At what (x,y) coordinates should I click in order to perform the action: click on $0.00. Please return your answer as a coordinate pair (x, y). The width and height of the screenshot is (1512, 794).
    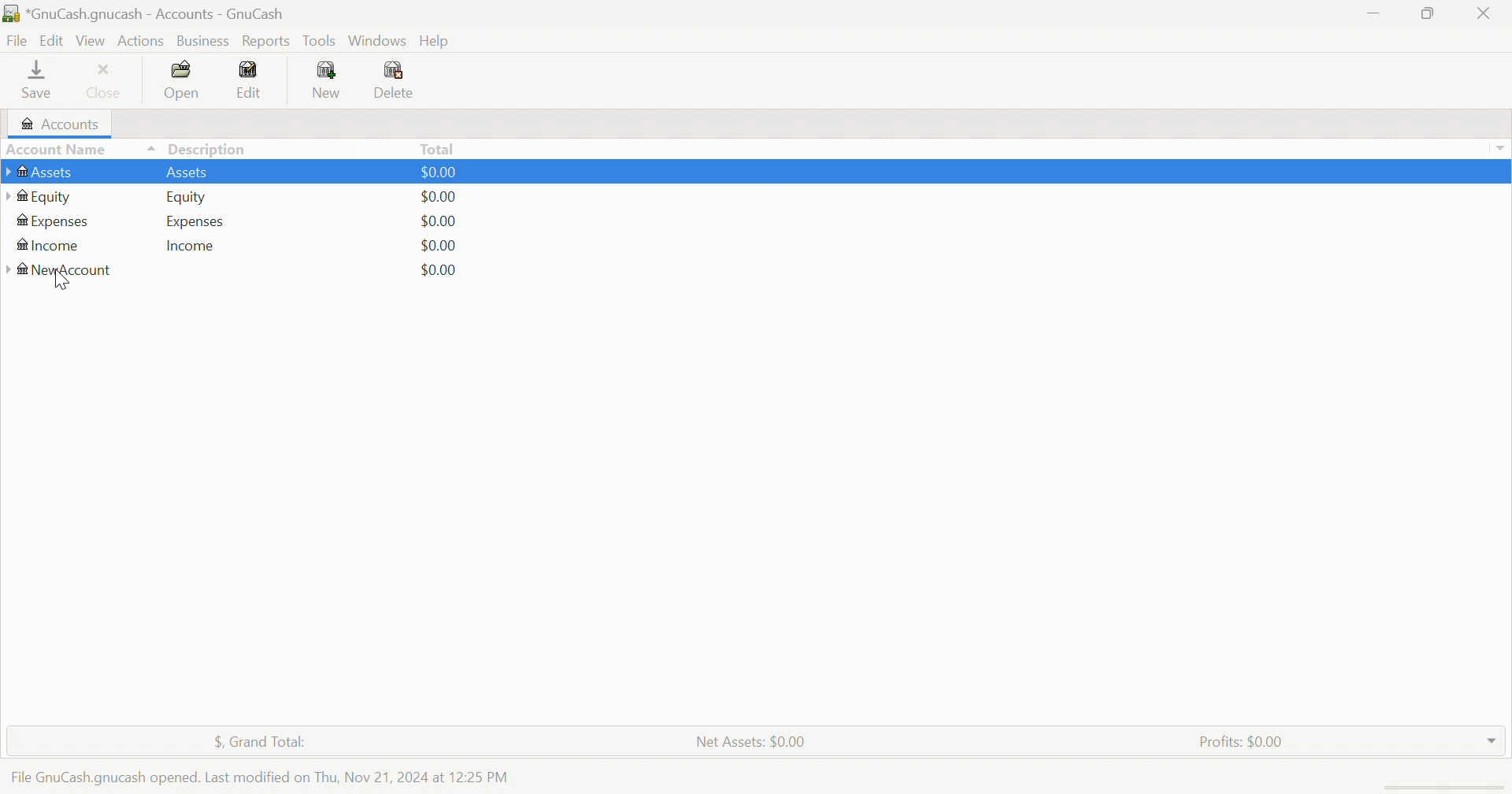
    Looking at the image, I should click on (440, 172).